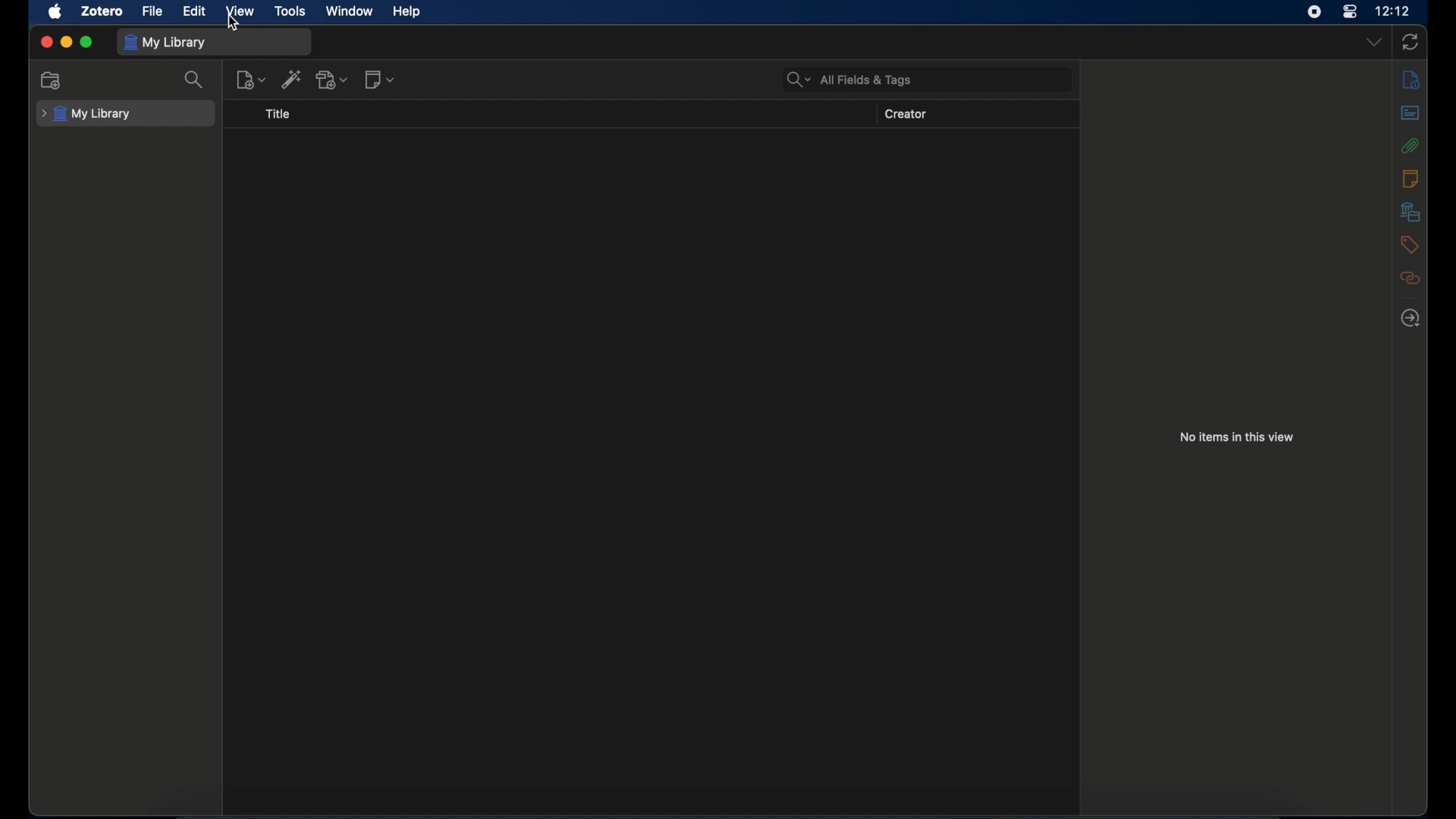  Describe the element at coordinates (46, 42) in the screenshot. I see `close` at that location.